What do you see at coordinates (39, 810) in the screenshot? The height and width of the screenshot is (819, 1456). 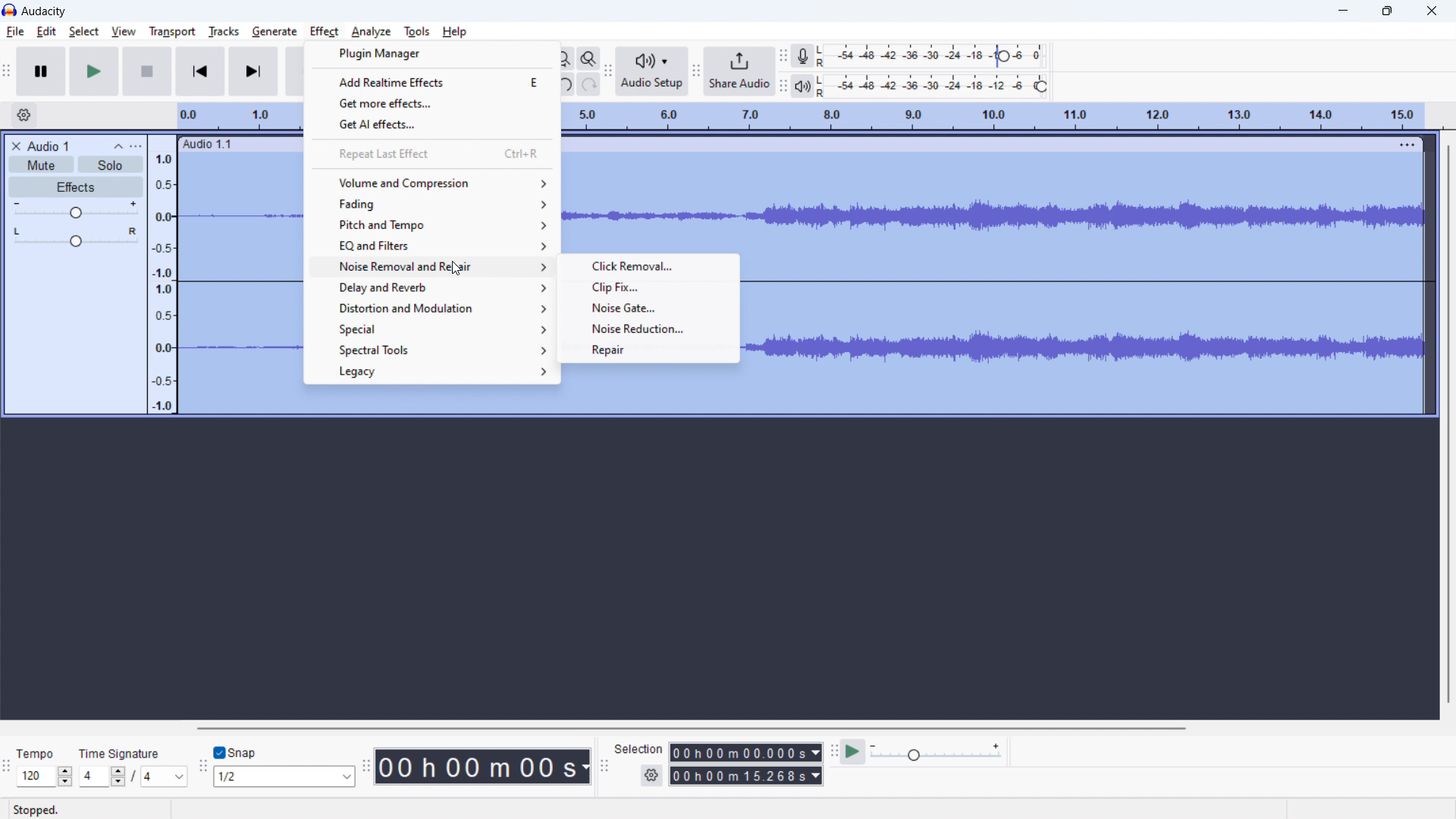 I see `Stopped ` at bounding box center [39, 810].